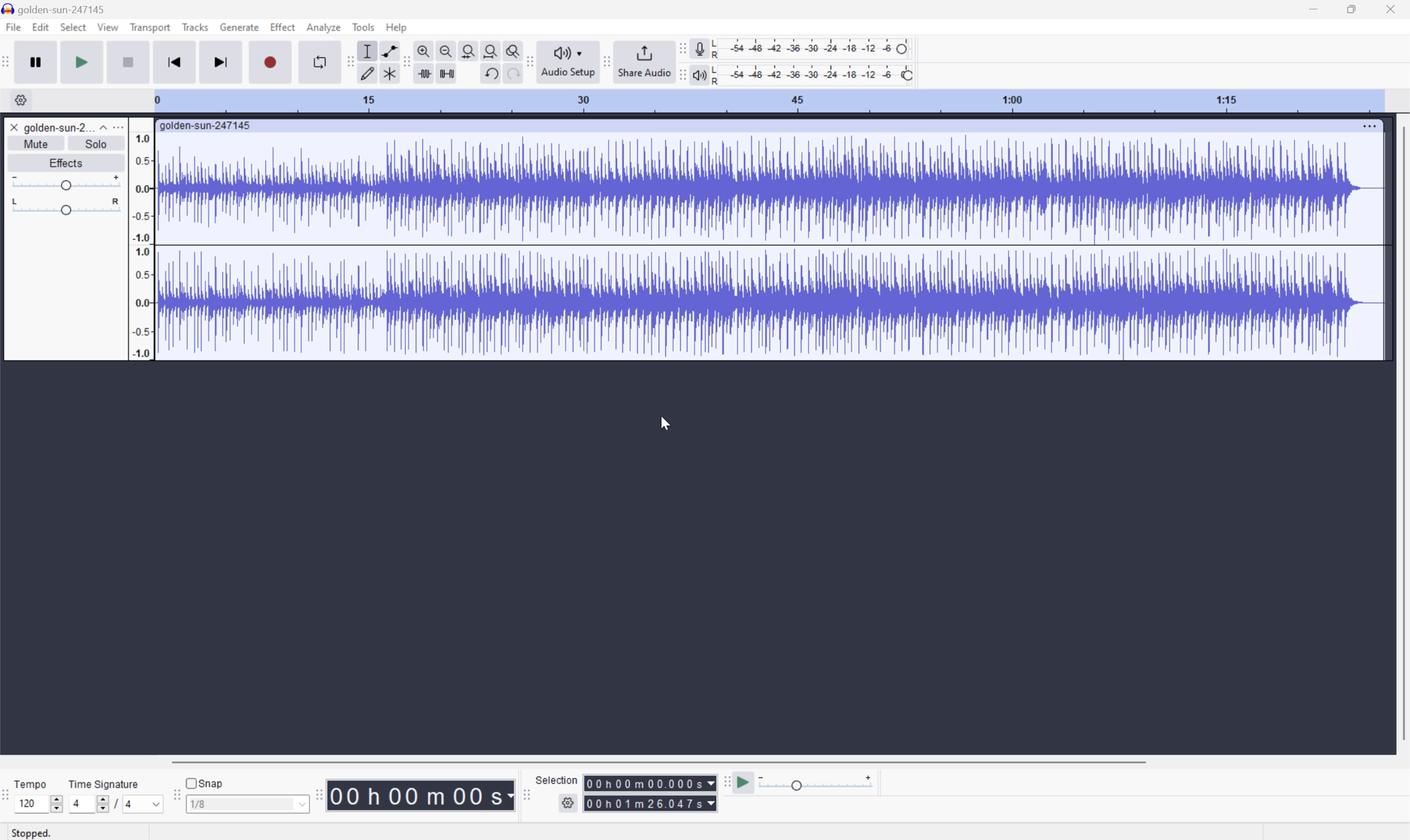  I want to click on Play, so click(83, 61).